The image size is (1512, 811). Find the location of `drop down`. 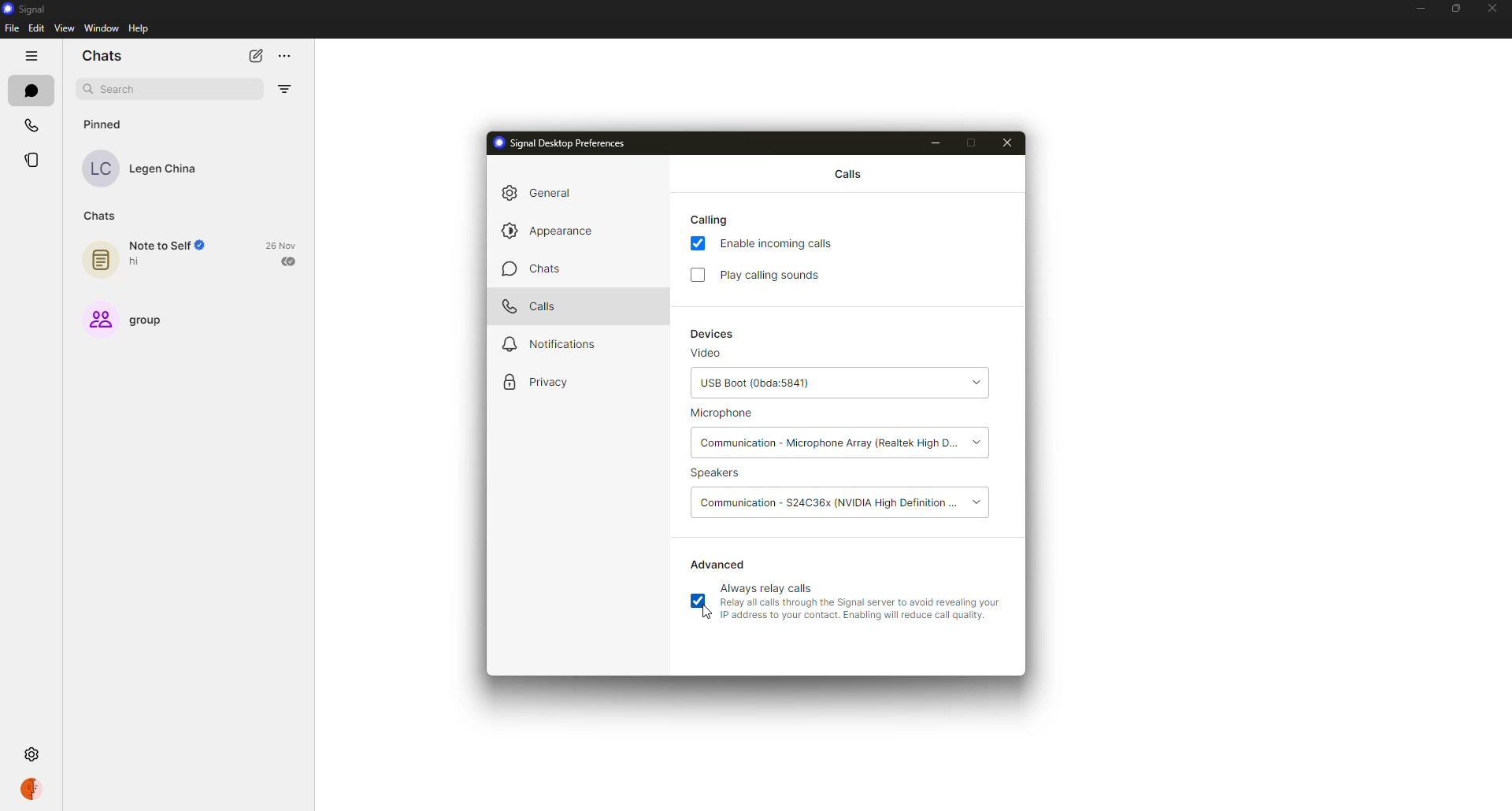

drop down is located at coordinates (983, 442).